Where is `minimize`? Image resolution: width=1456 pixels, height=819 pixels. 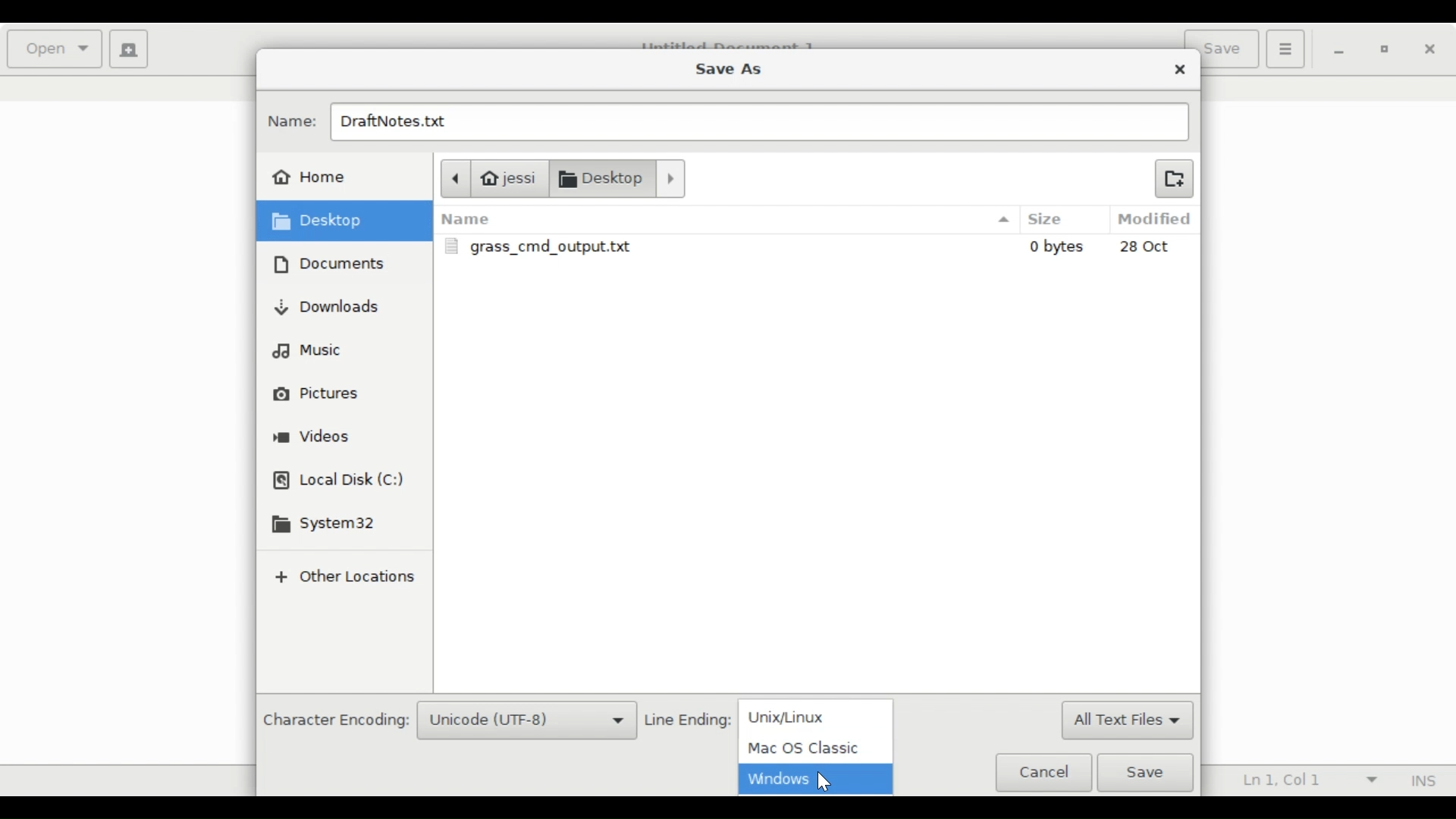 minimize is located at coordinates (1341, 51).